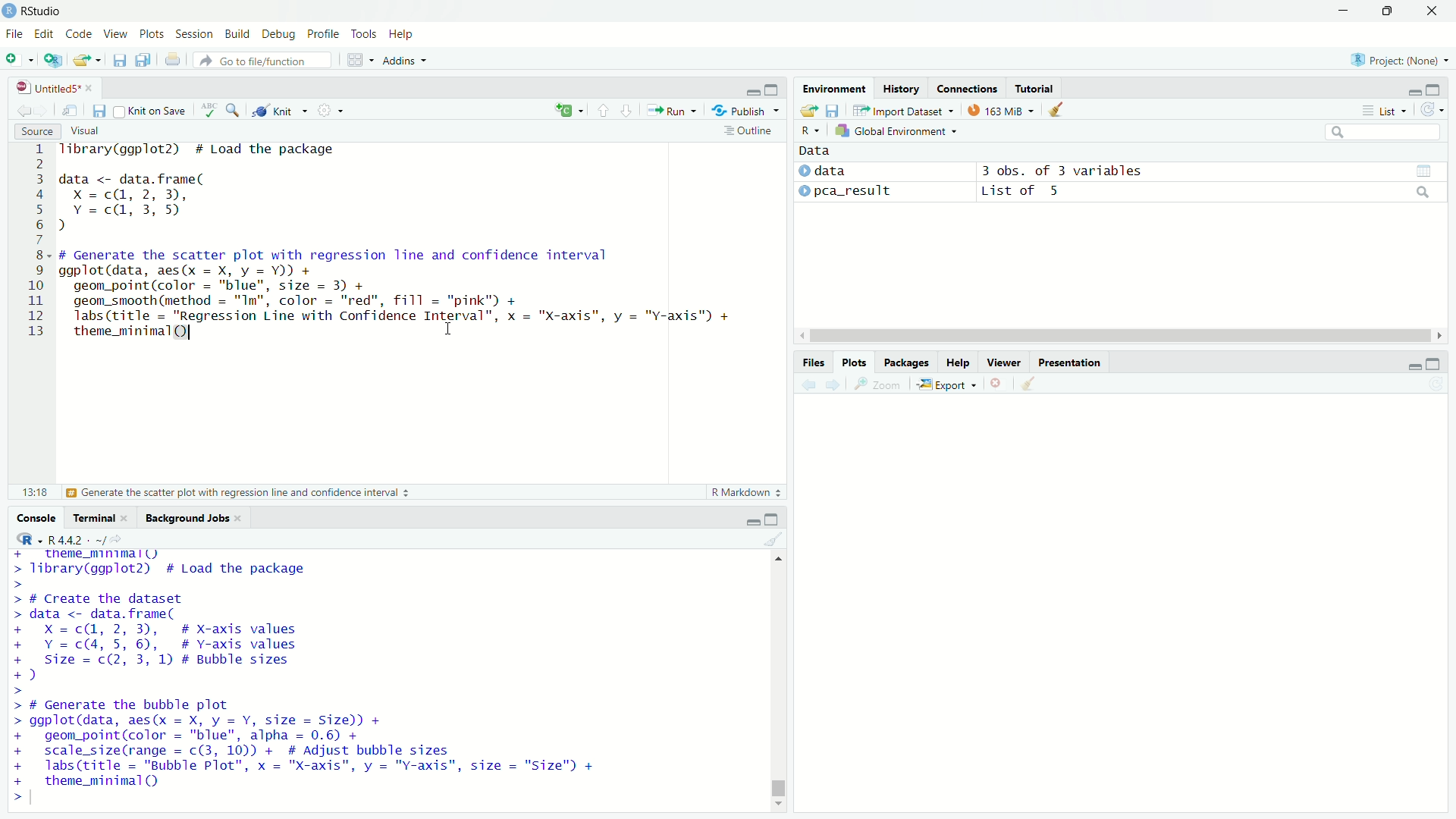 The height and width of the screenshot is (819, 1456). I want to click on grid, so click(1423, 171).